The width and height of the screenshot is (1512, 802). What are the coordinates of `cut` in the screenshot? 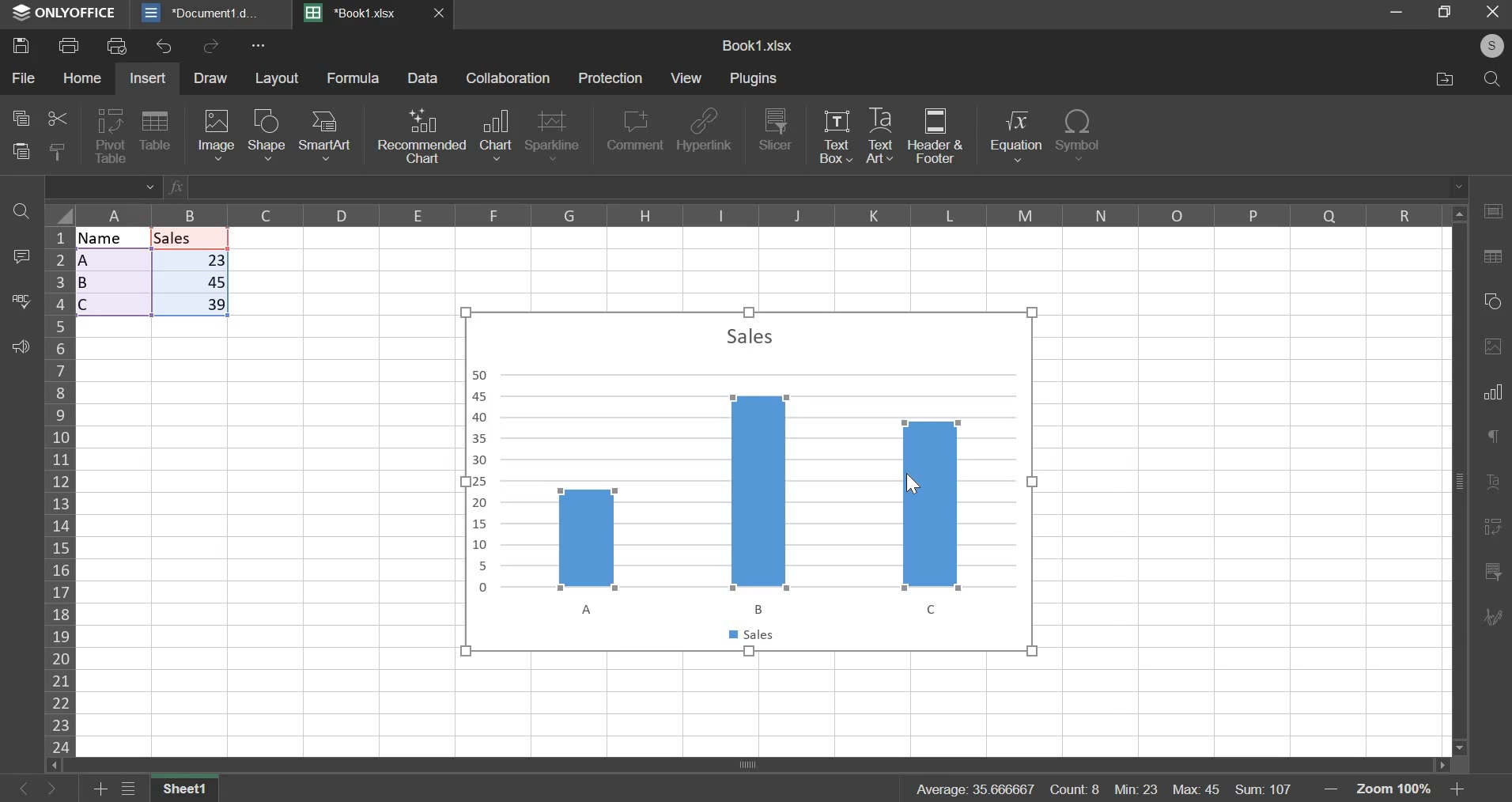 It's located at (56, 119).